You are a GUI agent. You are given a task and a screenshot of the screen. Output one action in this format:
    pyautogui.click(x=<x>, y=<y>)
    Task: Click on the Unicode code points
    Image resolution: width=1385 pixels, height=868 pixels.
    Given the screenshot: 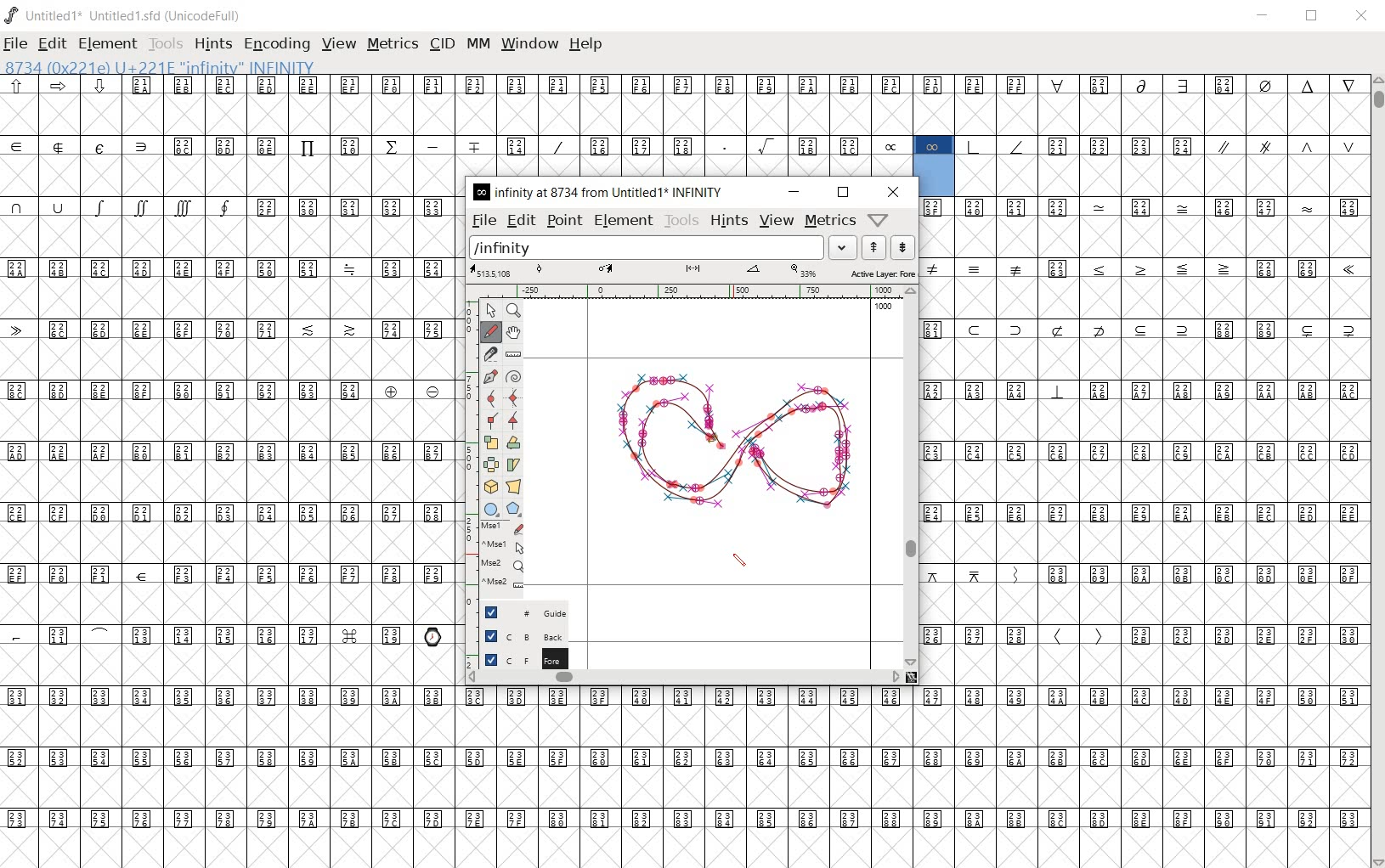 What is the action you would take?
    pyautogui.click(x=235, y=573)
    